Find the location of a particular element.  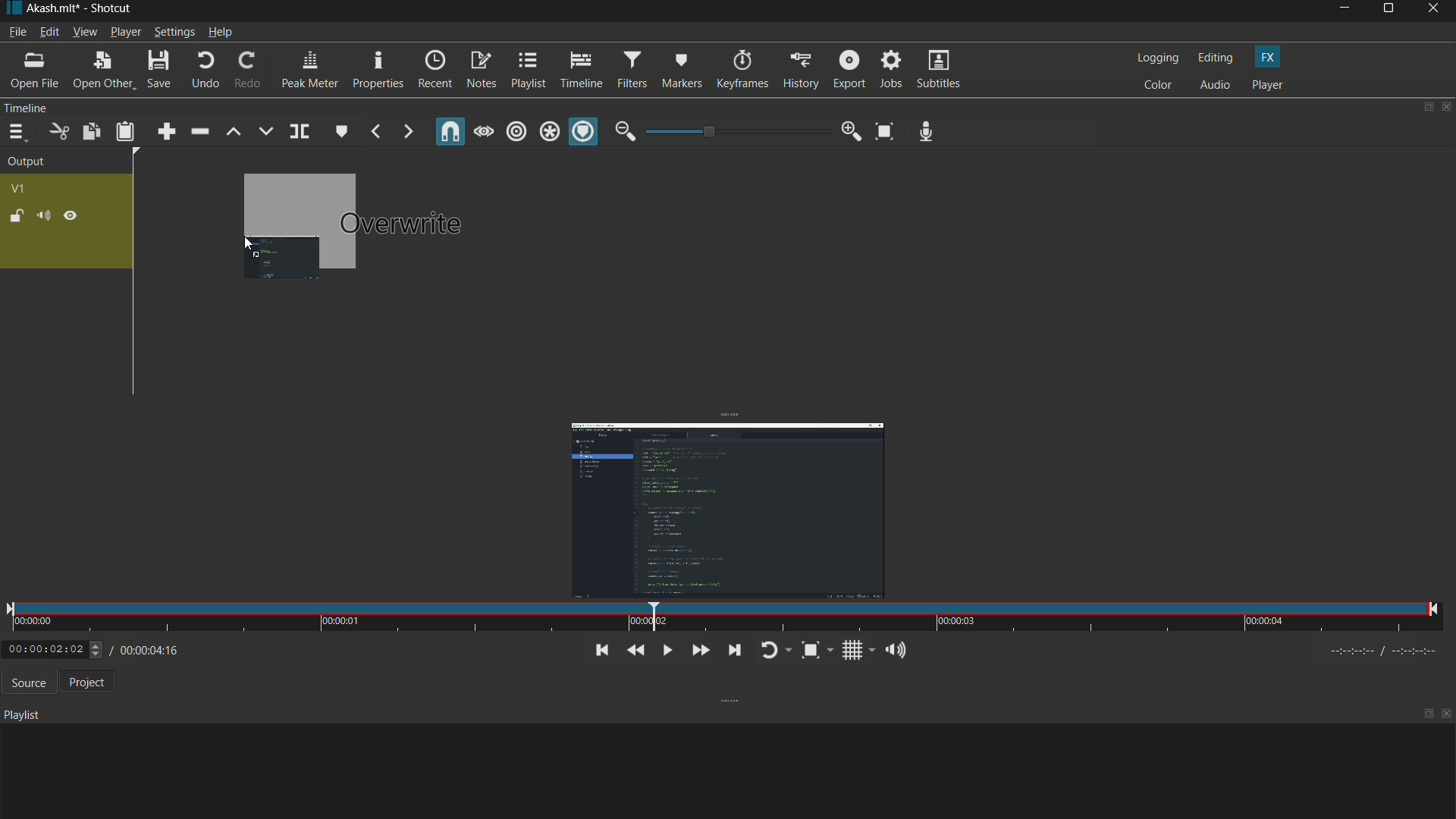

dragging video to timeline is located at coordinates (299, 224).